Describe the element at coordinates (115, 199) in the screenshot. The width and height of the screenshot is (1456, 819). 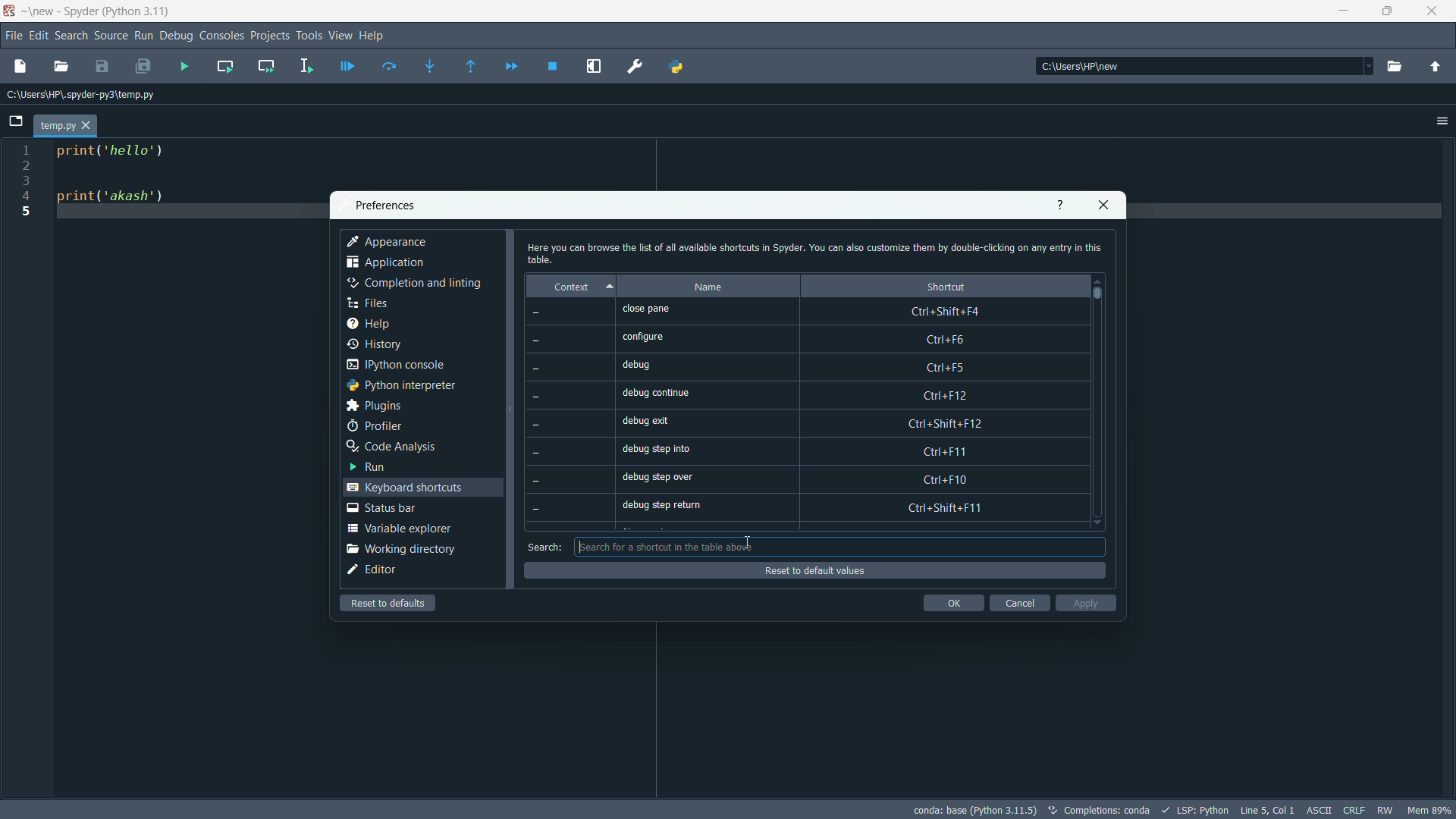
I see `print( ‘akash')` at that location.